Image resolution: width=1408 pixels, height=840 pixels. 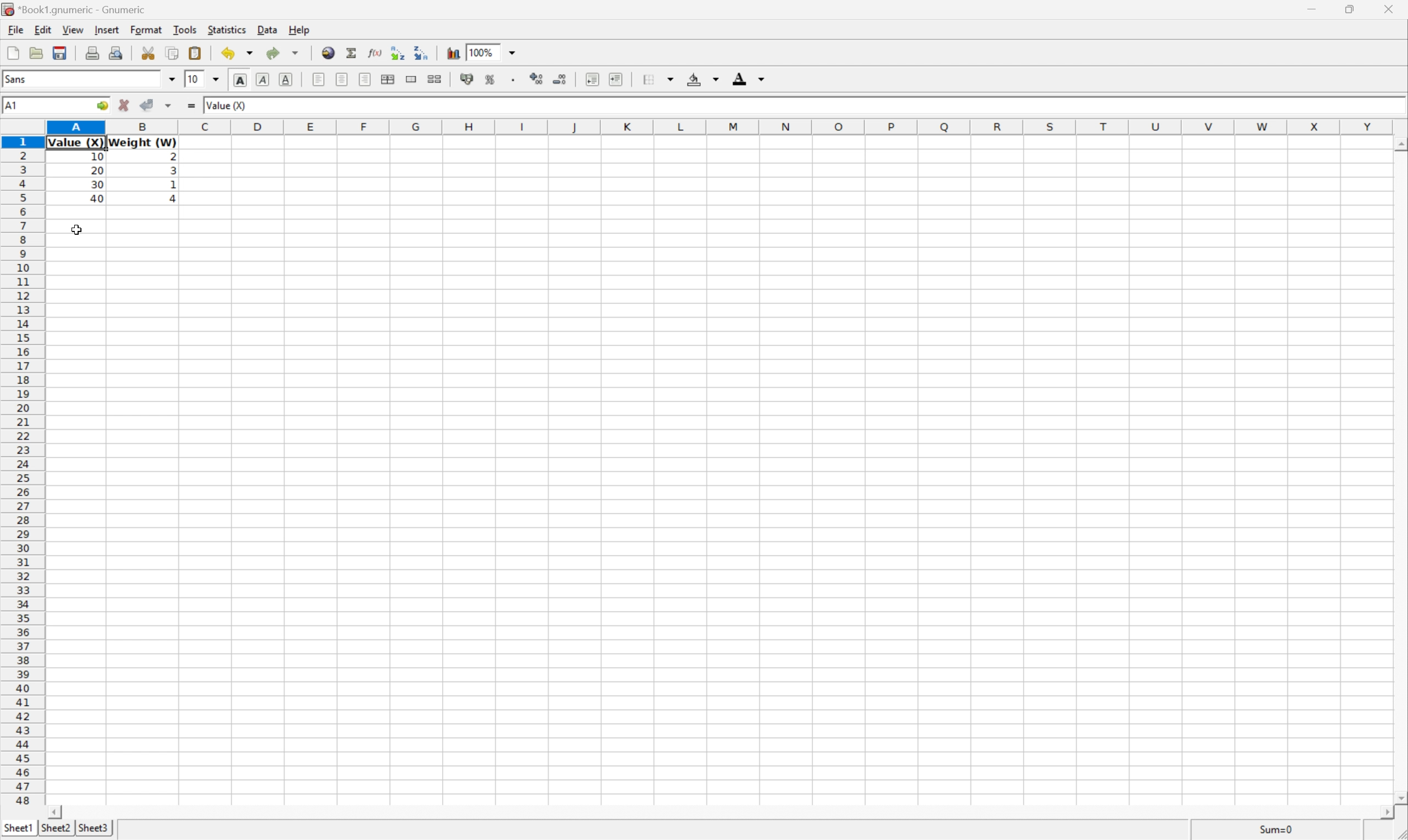 What do you see at coordinates (1399, 796) in the screenshot?
I see `Scroll Down` at bounding box center [1399, 796].